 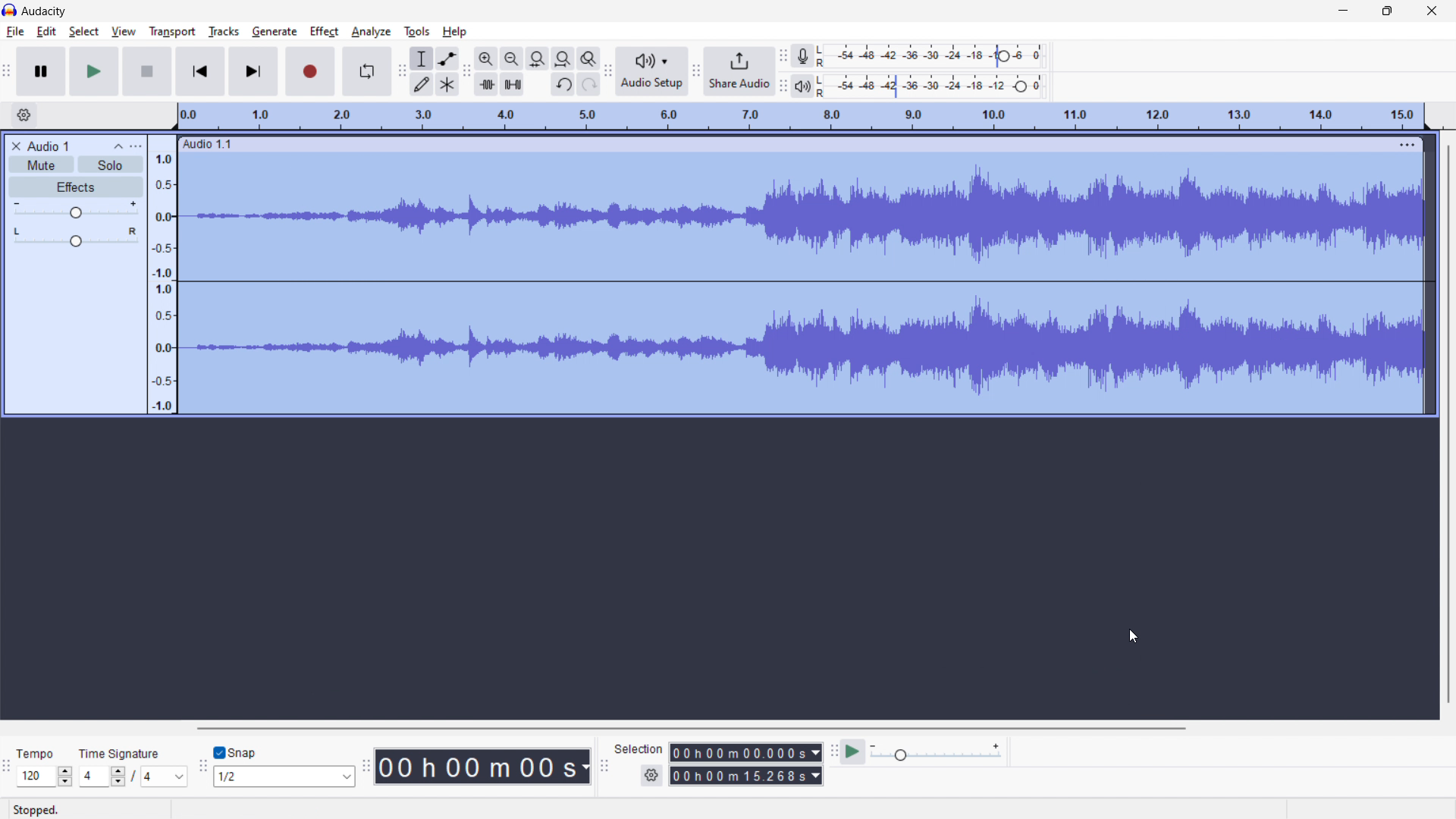 What do you see at coordinates (371, 33) in the screenshot?
I see `analyze` at bounding box center [371, 33].